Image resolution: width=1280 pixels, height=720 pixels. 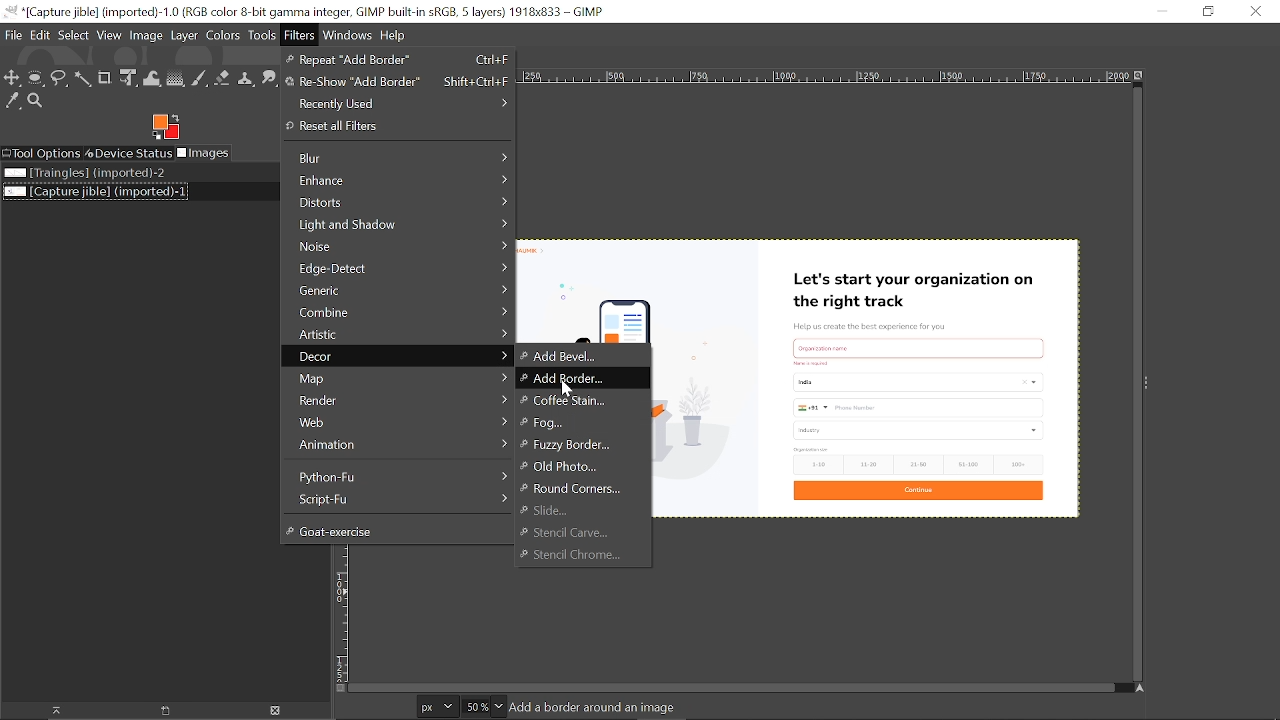 I want to click on Decor, so click(x=398, y=357).